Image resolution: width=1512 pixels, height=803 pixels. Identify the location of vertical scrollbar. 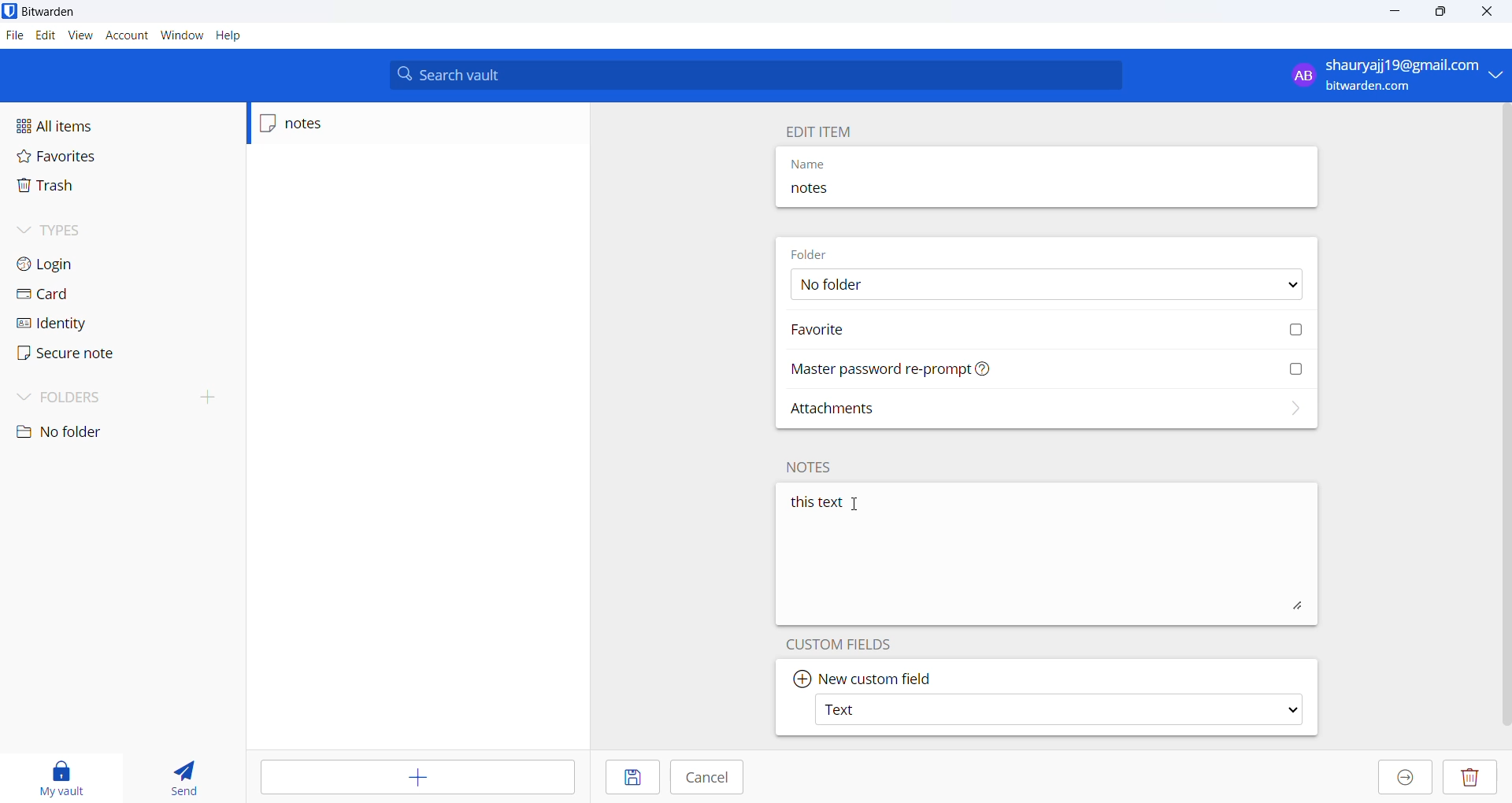
(1503, 413).